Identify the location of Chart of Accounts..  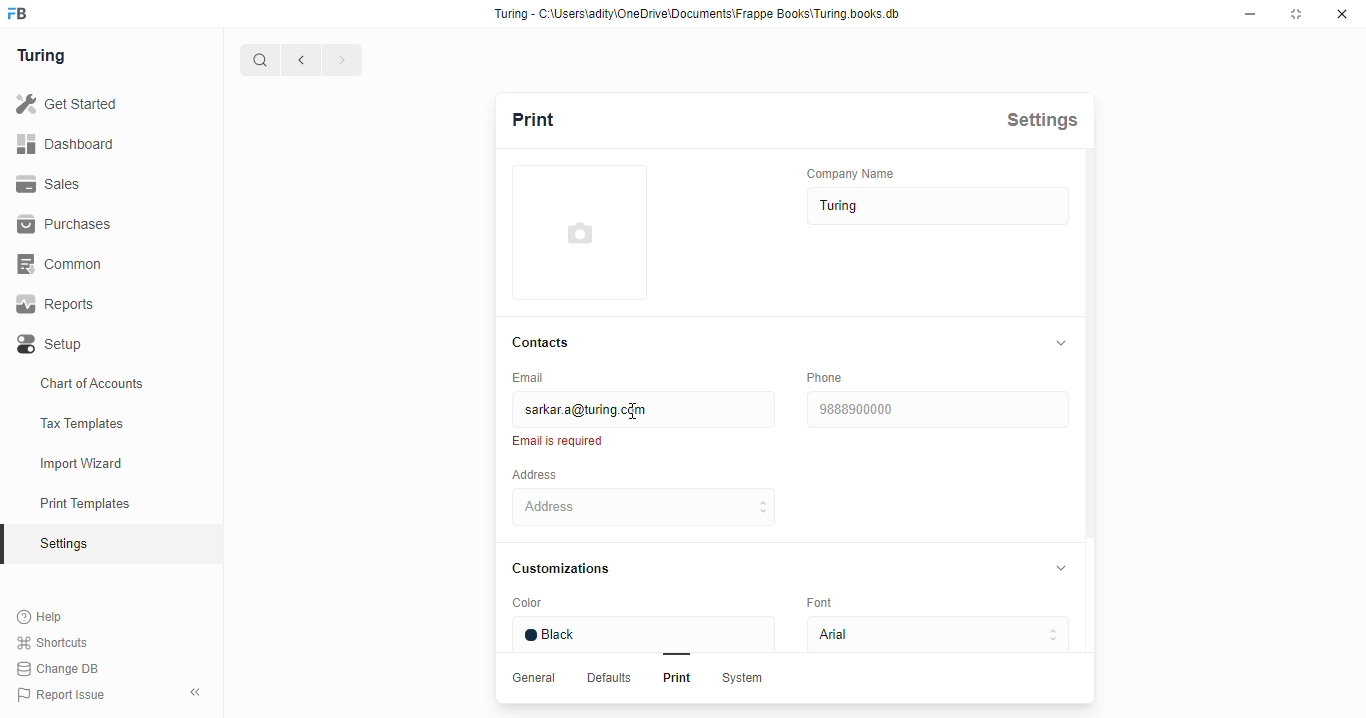
(109, 384).